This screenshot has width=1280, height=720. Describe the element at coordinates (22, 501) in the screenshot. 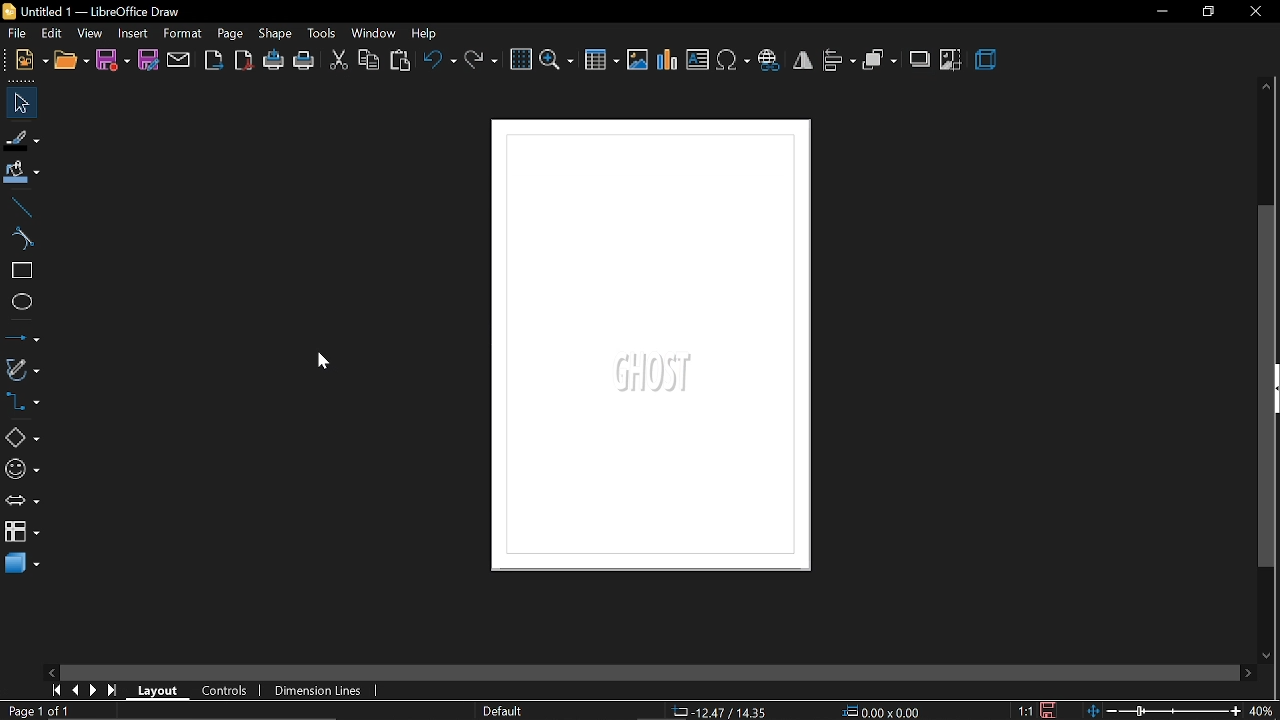

I see `arrows` at that location.